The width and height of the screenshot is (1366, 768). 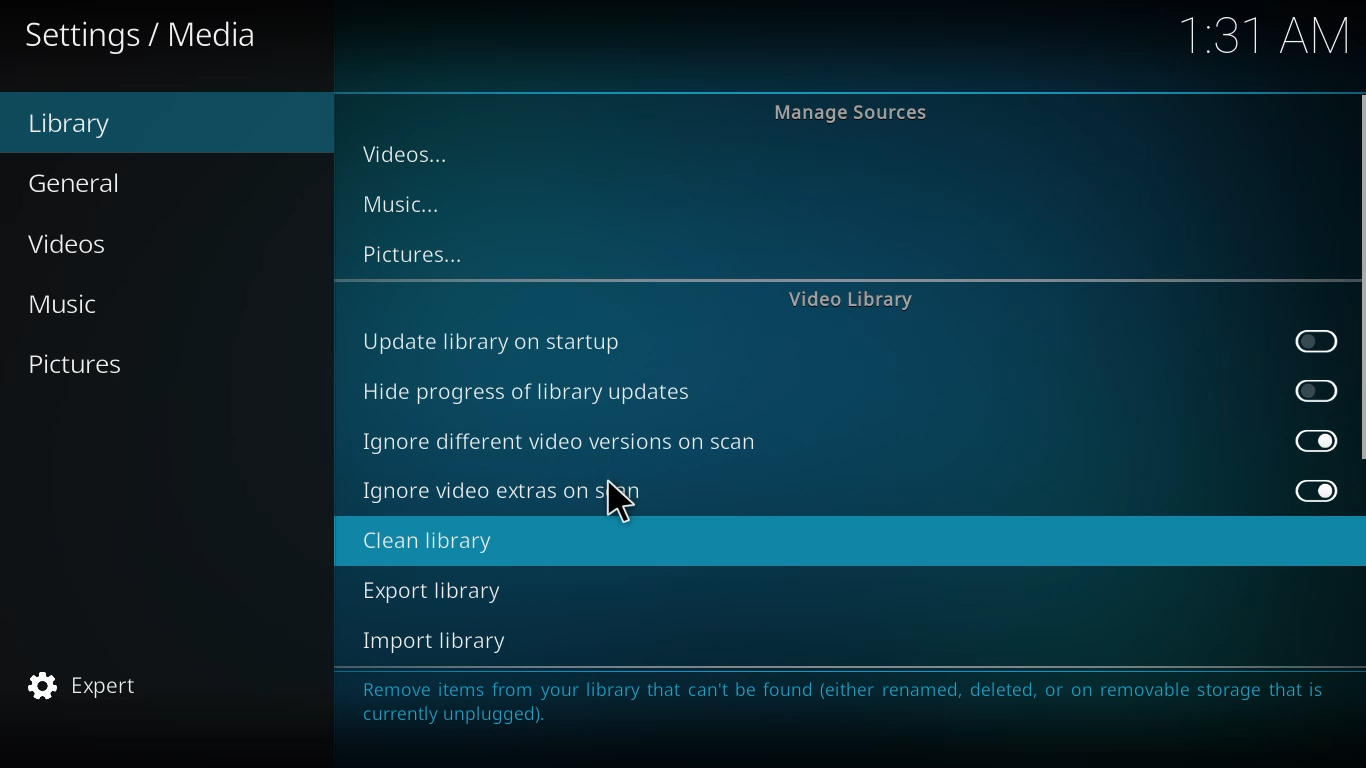 I want to click on export library, so click(x=430, y=591).